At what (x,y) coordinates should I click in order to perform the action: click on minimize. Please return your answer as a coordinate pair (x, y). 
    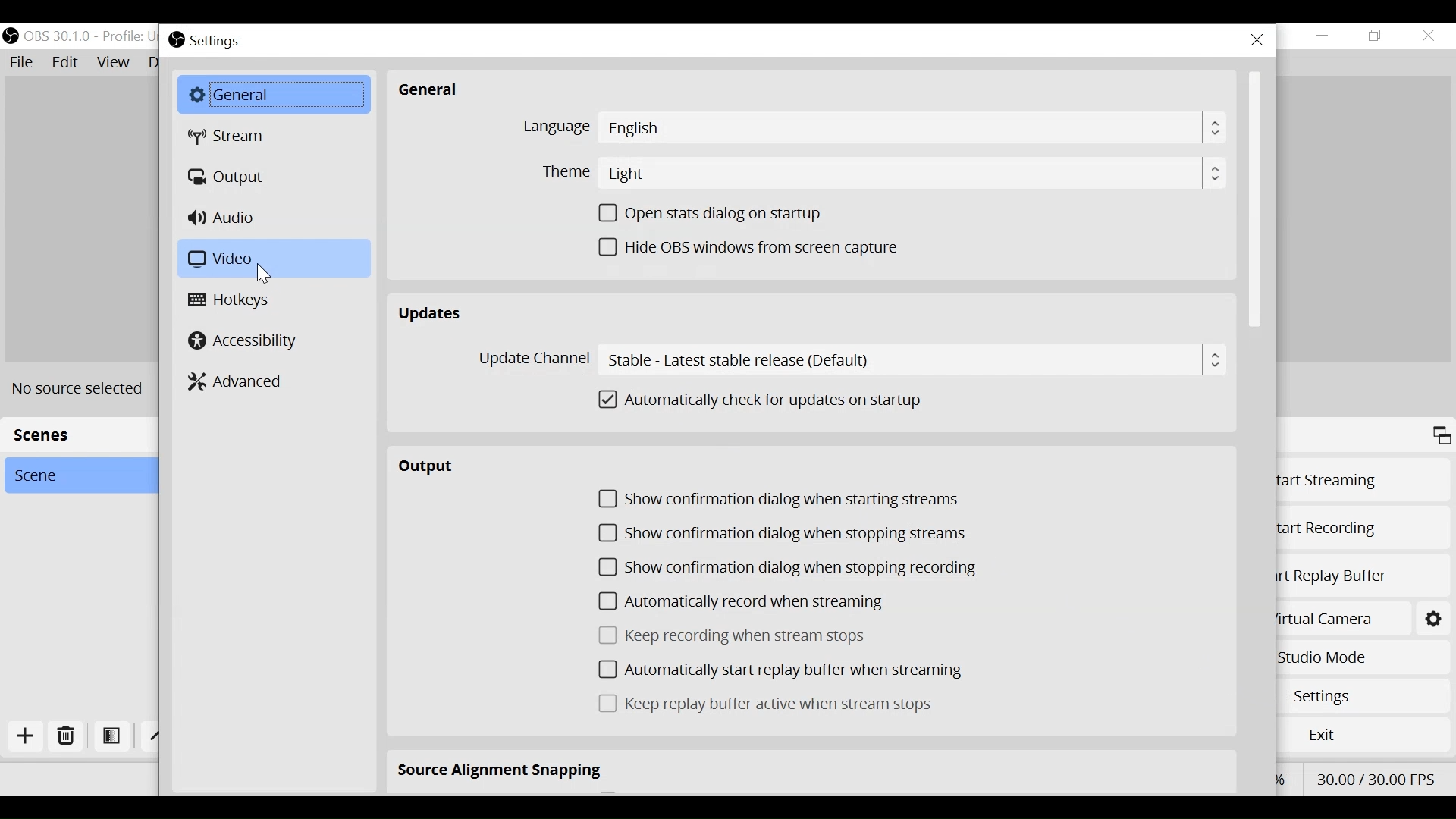
    Looking at the image, I should click on (1323, 36).